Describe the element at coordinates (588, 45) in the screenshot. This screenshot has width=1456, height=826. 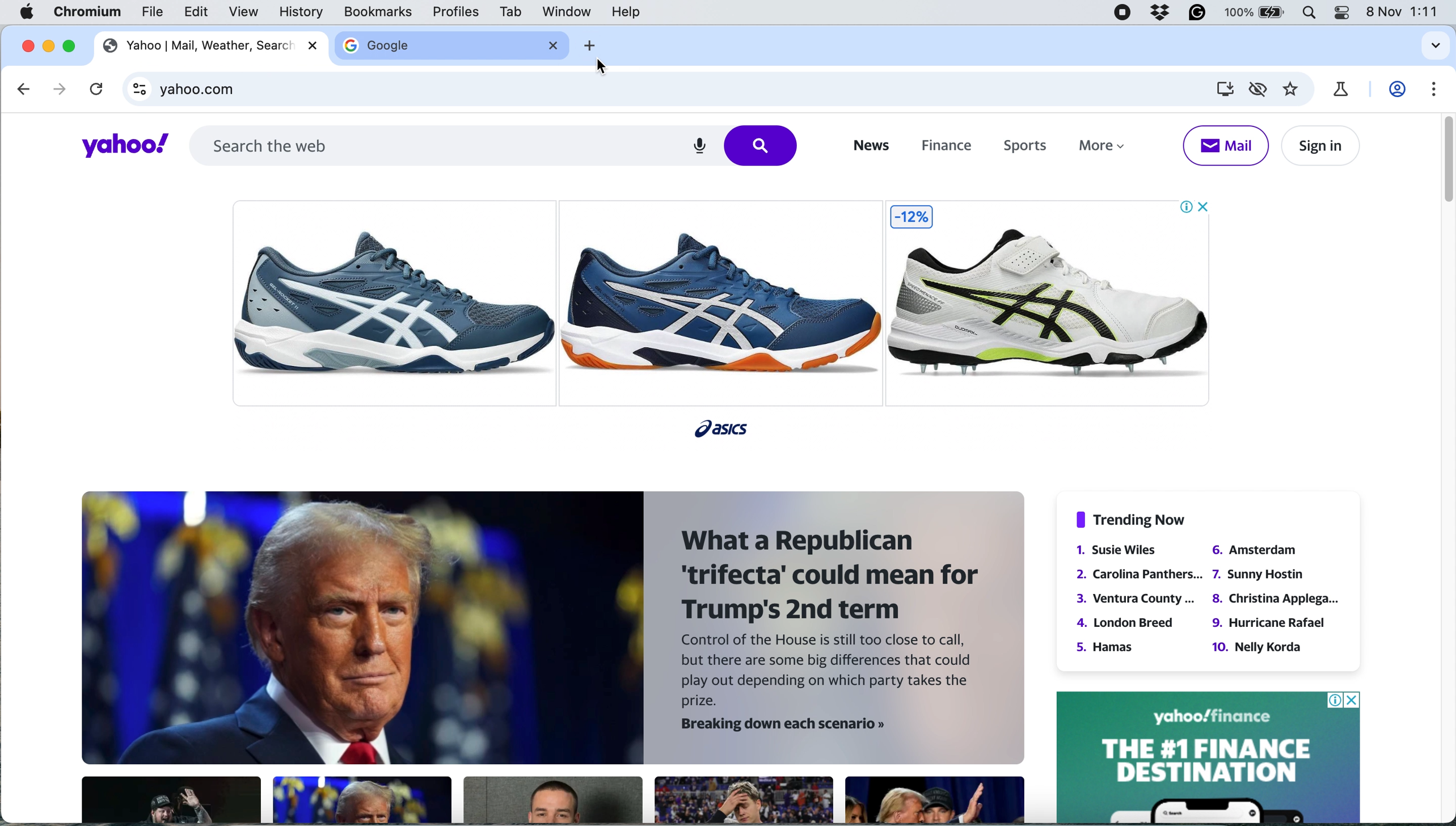
I see `add new tab` at that location.